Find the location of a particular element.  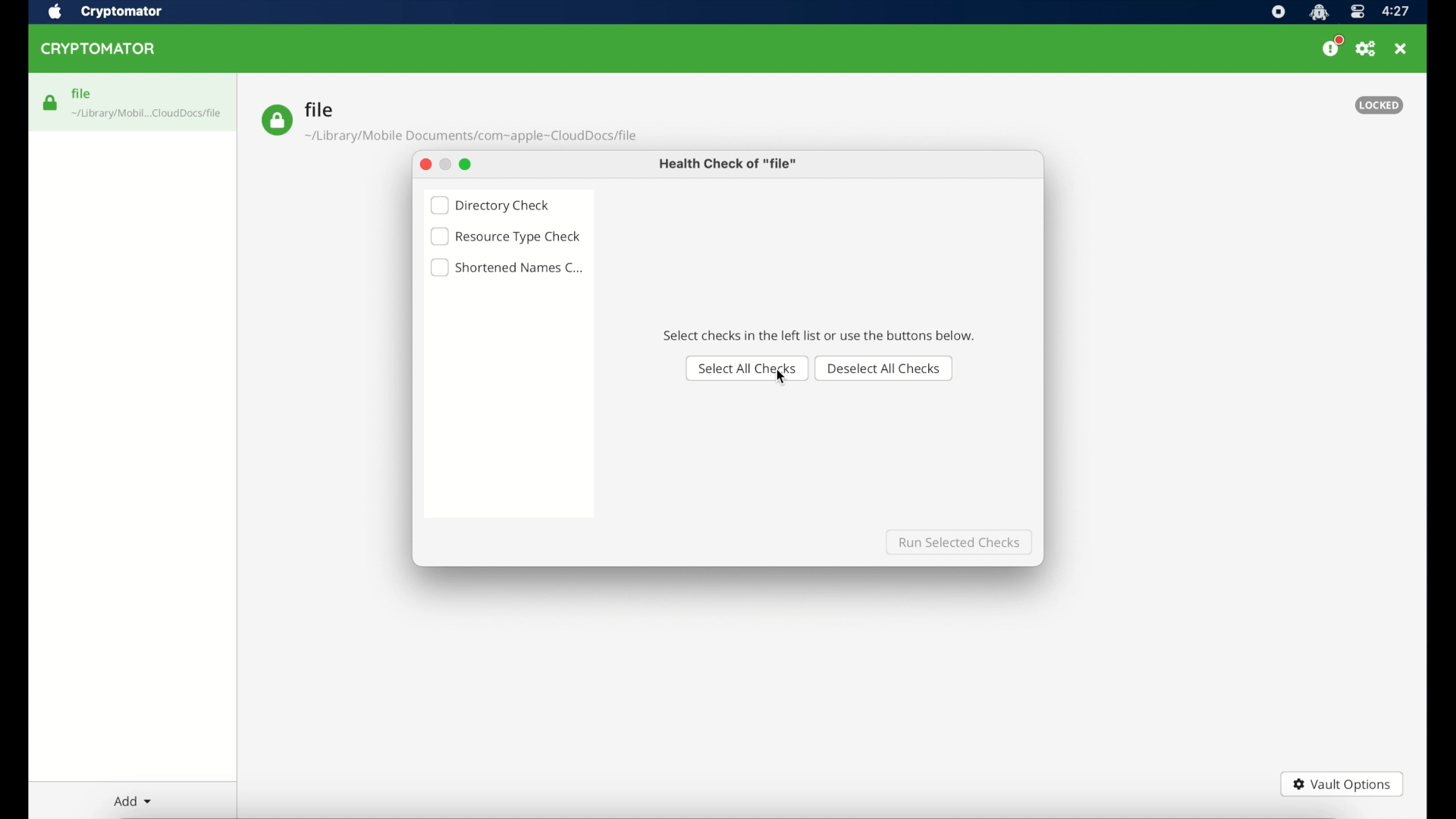

deselect all checks is located at coordinates (886, 368).